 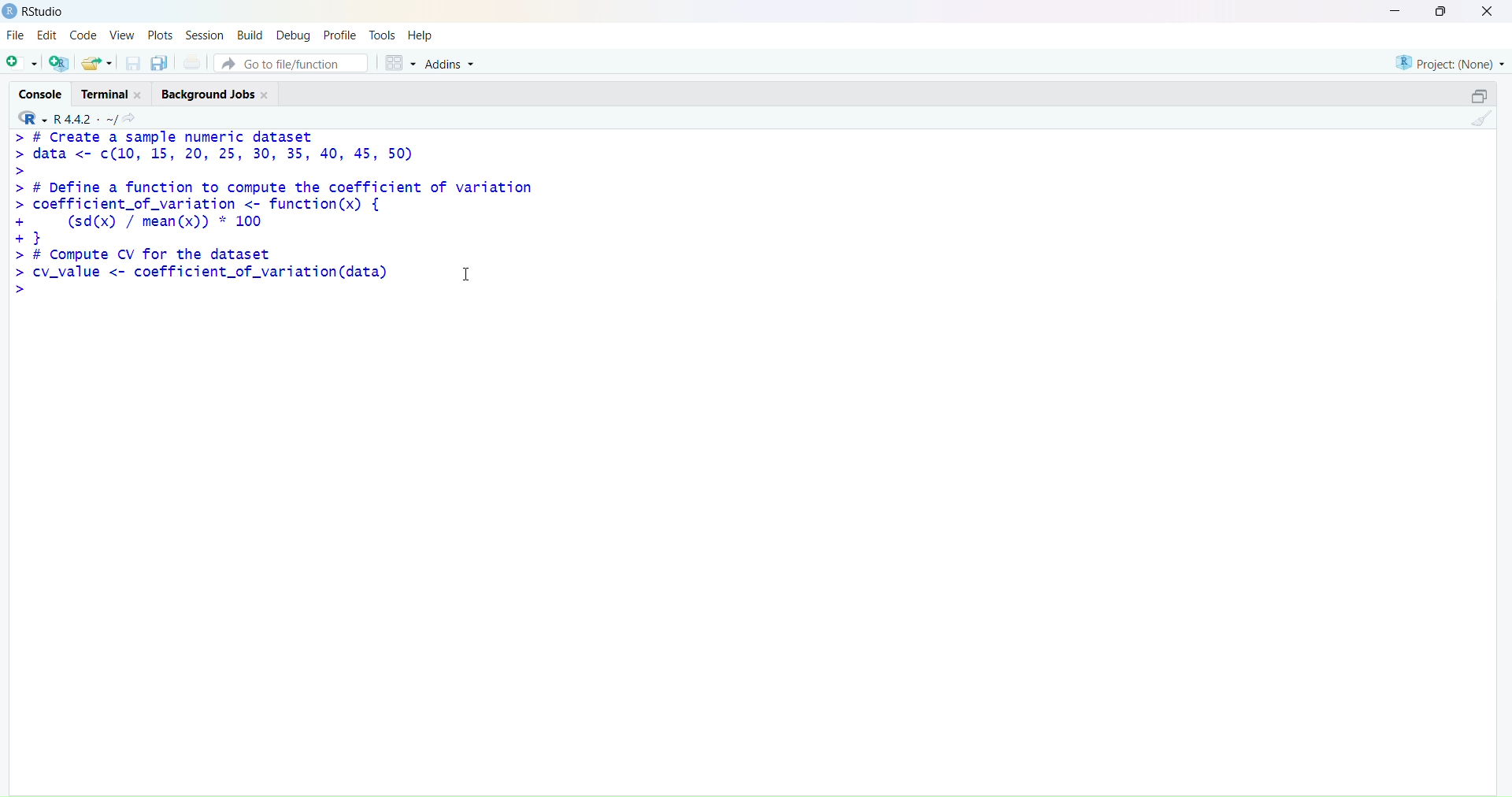 What do you see at coordinates (139, 95) in the screenshot?
I see `Close ` at bounding box center [139, 95].